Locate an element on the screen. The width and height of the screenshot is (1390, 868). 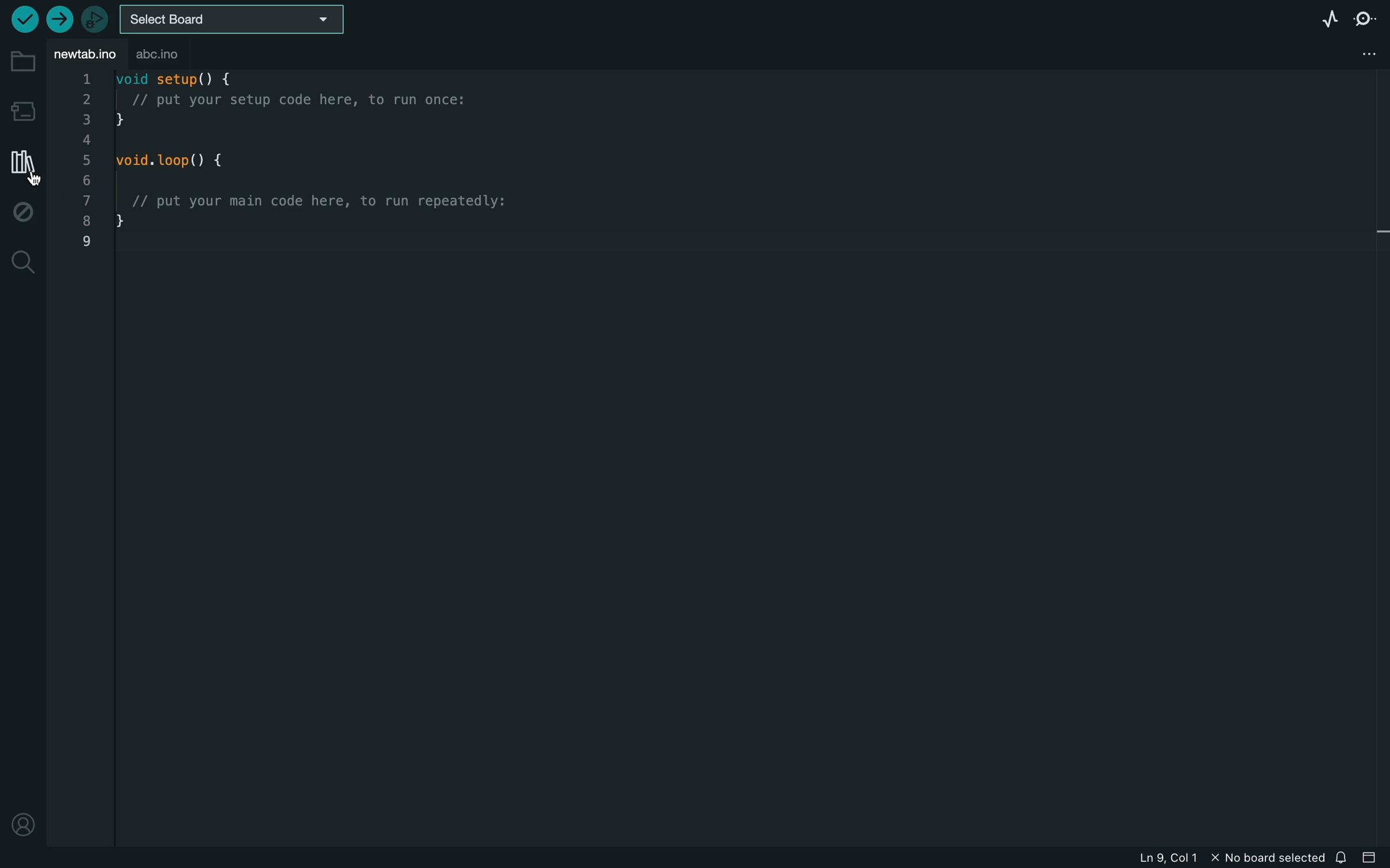
notification is located at coordinates (1342, 858).